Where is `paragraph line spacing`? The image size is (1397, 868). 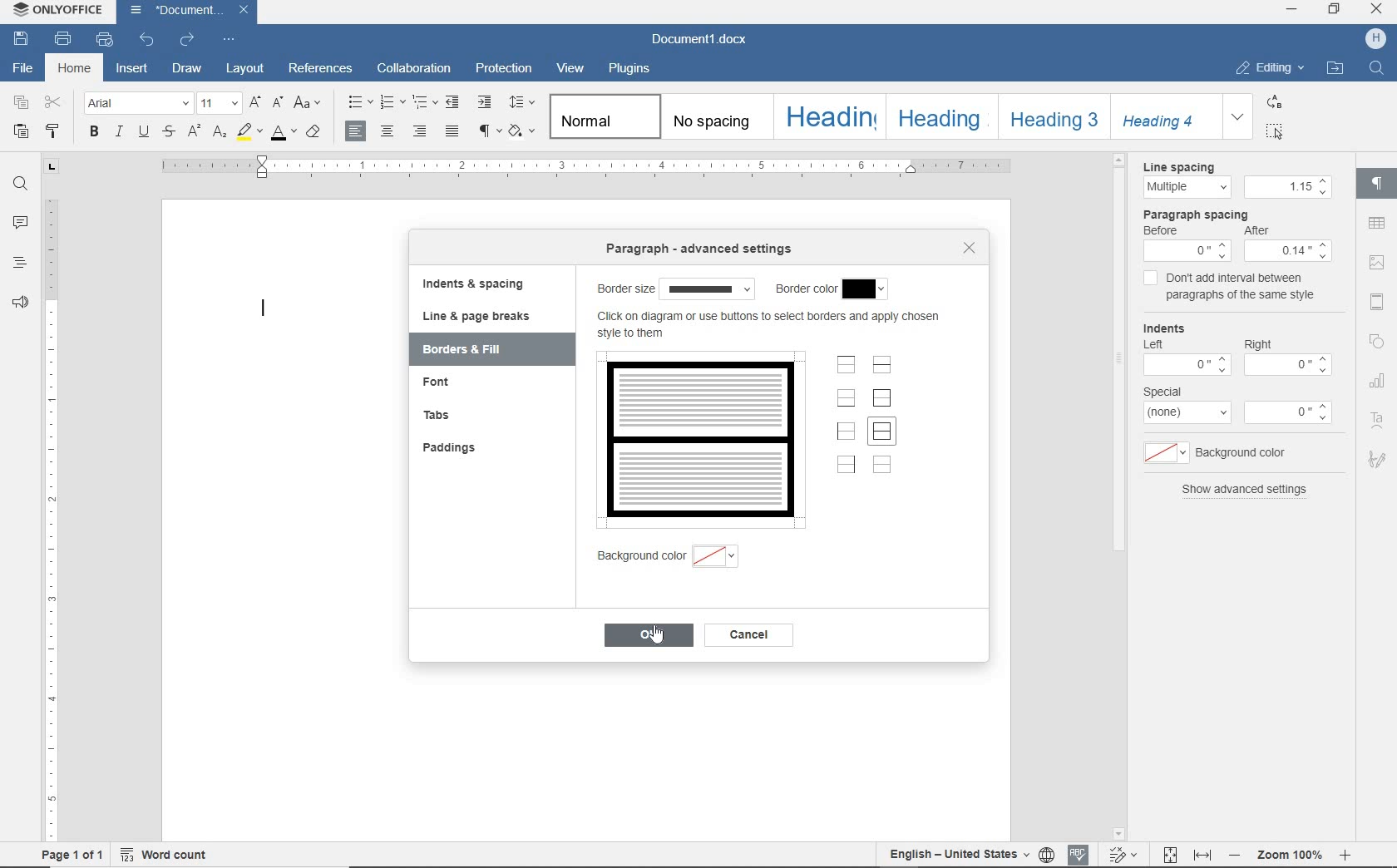 paragraph line spacing is located at coordinates (524, 103).